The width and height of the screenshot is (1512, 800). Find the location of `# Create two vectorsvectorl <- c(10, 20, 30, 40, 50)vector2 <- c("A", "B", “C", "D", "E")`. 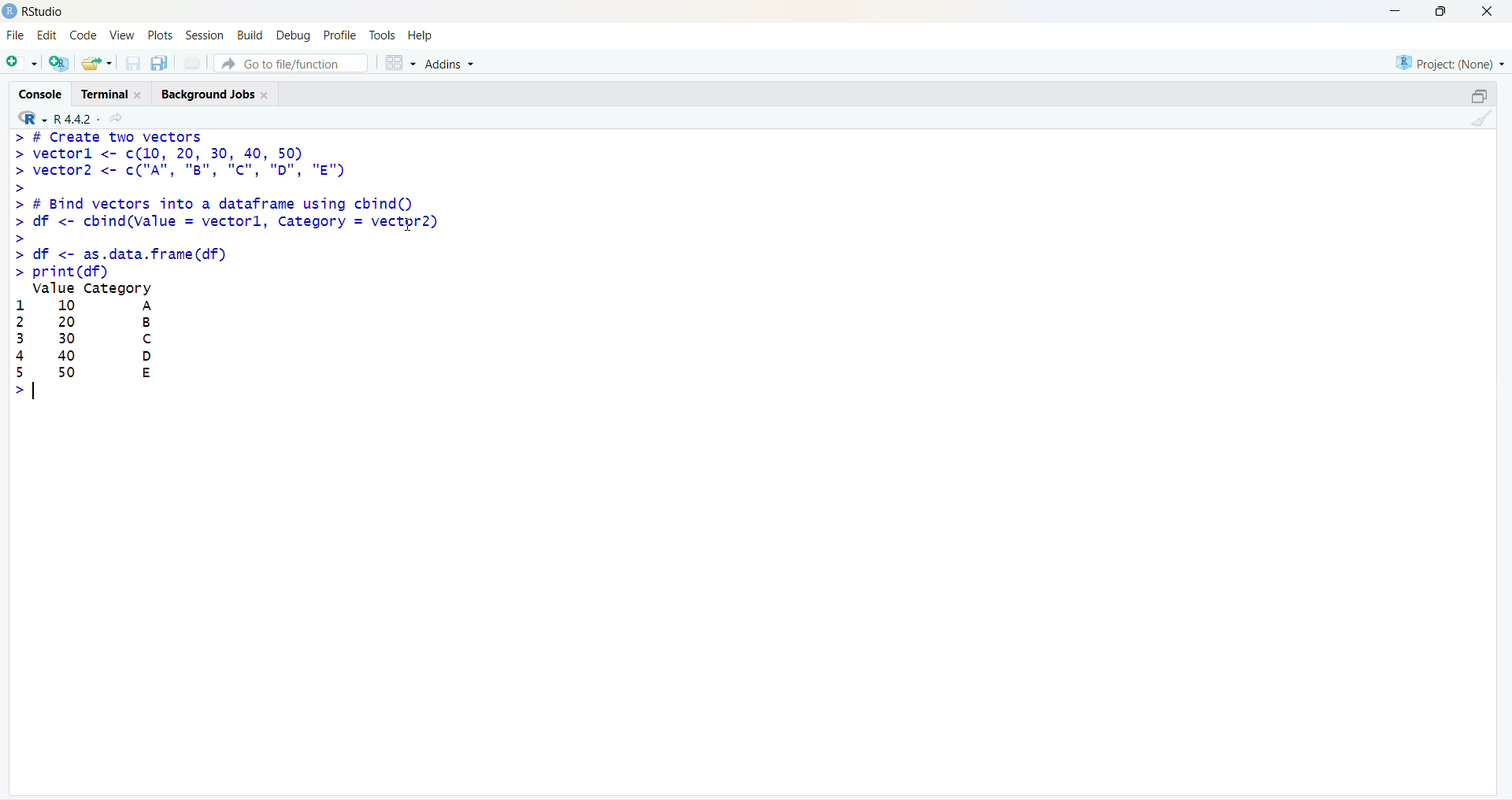

# Create two vectorsvectorl <- c(10, 20, 30, 40, 50)vector2 <- c("A", "B", “C", "D", "E") is located at coordinates (180, 162).